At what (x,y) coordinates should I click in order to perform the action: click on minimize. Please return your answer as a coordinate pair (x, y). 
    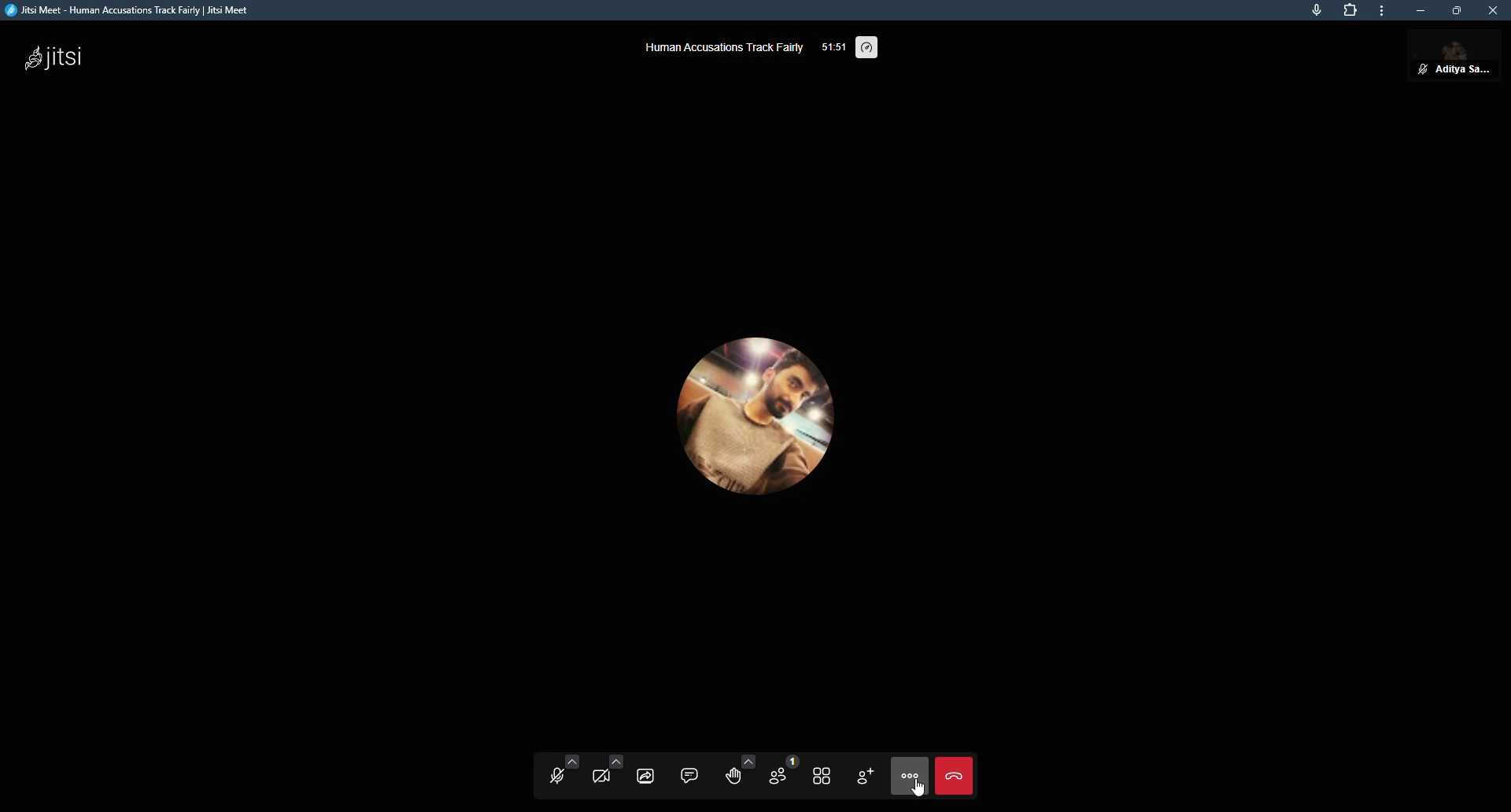
    Looking at the image, I should click on (1419, 10).